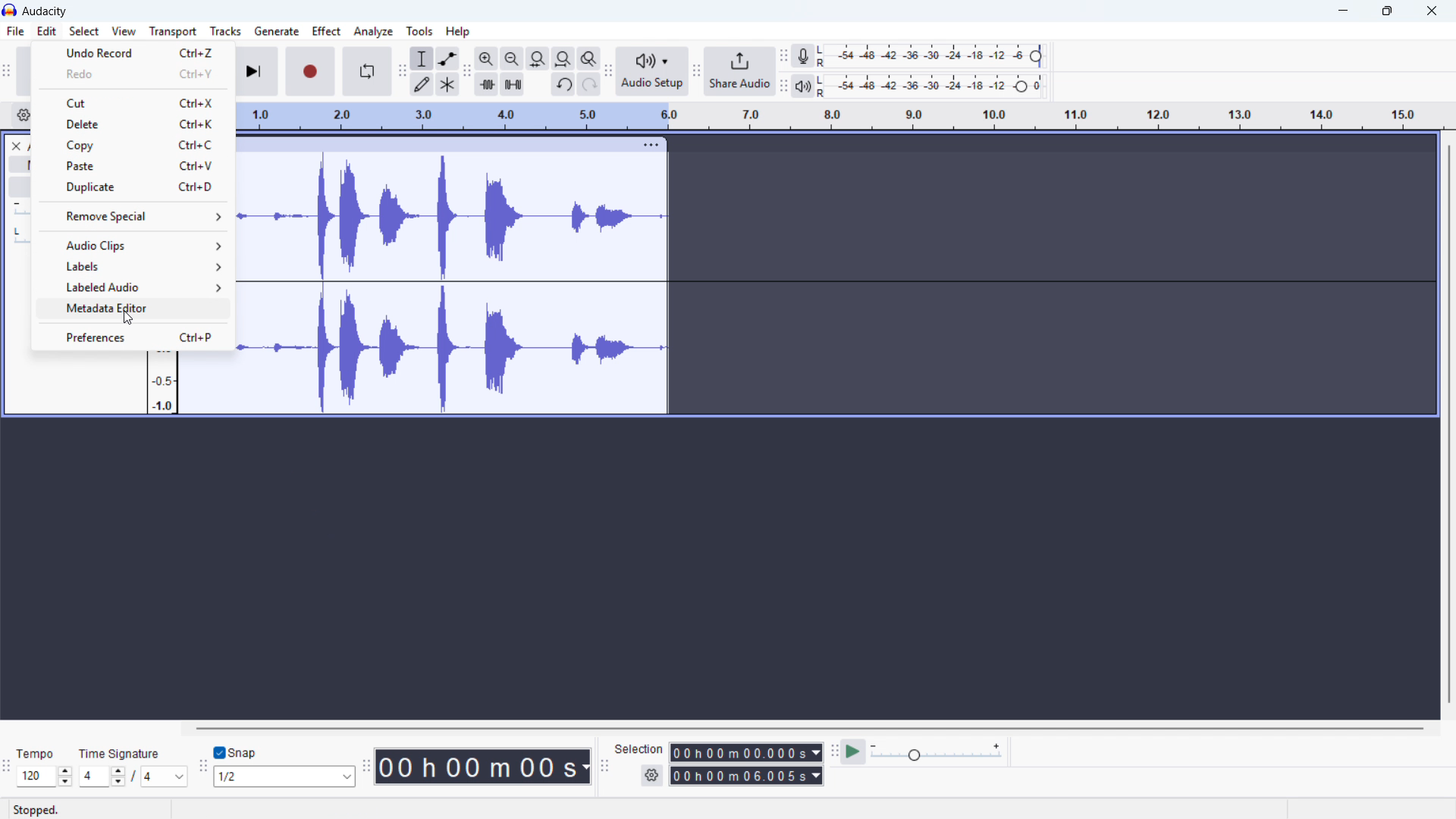 This screenshot has width=1456, height=819. What do you see at coordinates (129, 310) in the screenshot?
I see `metadata editor` at bounding box center [129, 310].